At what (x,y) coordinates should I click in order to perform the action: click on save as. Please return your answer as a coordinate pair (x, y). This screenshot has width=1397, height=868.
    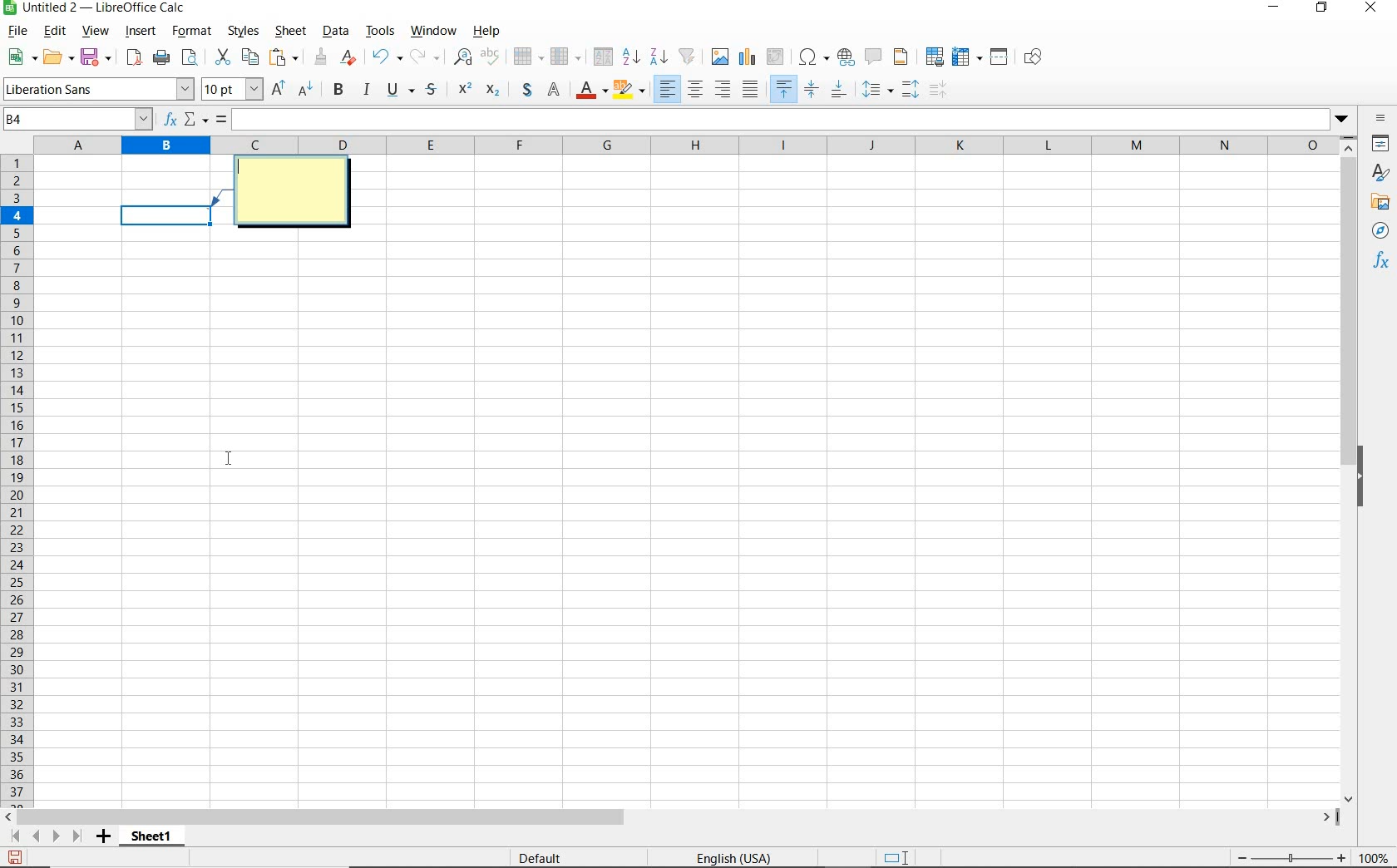
    Looking at the image, I should click on (16, 860).